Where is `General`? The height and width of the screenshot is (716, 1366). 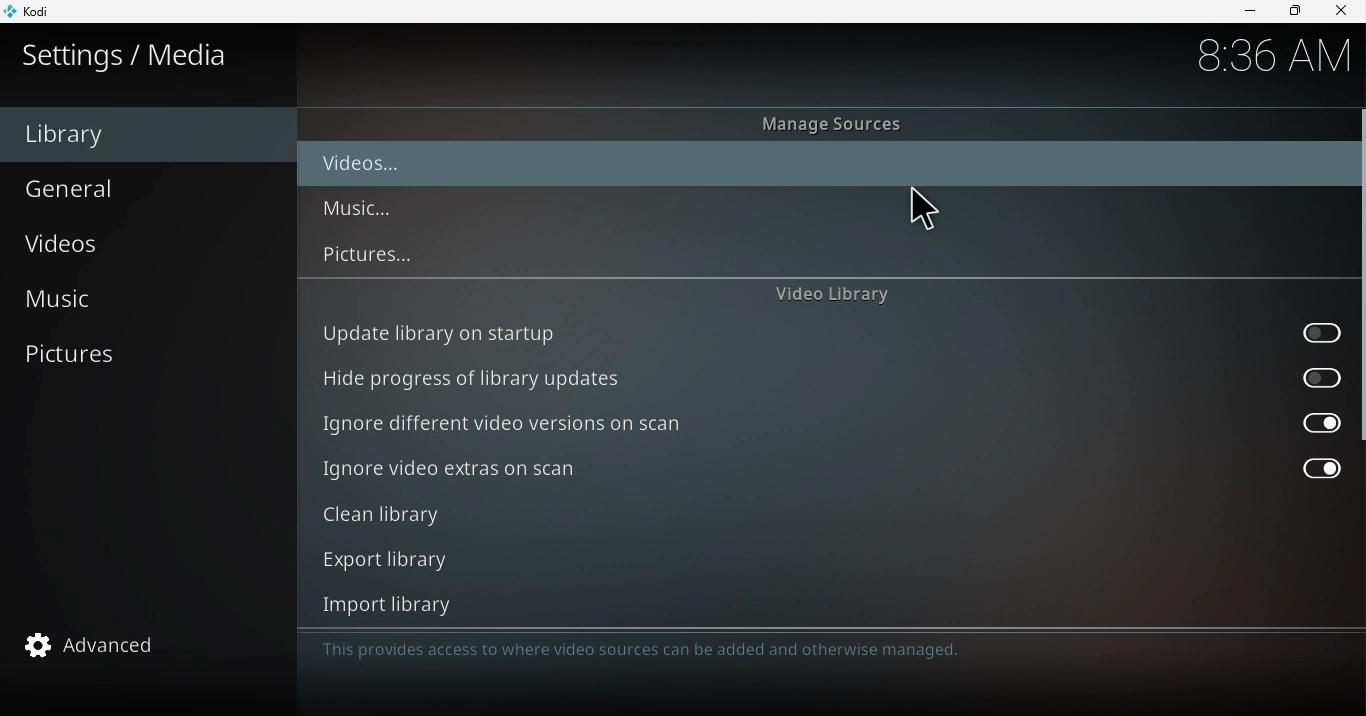 General is located at coordinates (143, 187).